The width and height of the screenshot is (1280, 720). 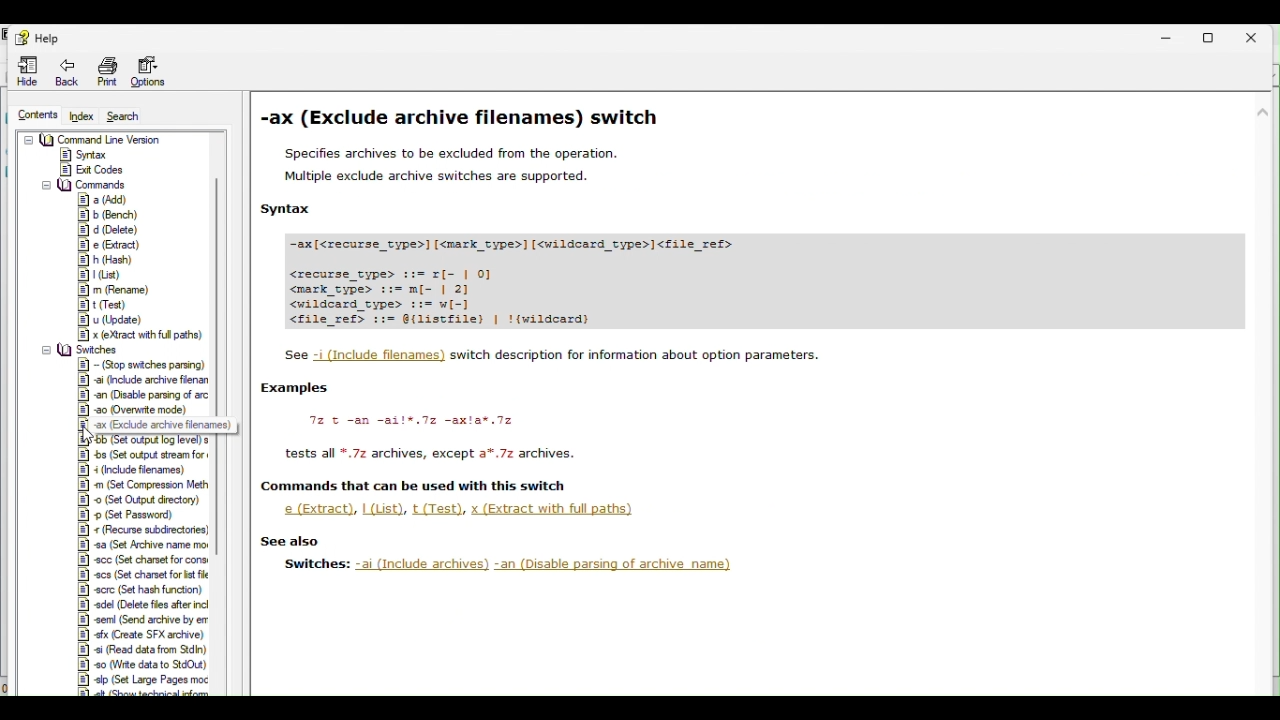 I want to click on Print, so click(x=106, y=69).